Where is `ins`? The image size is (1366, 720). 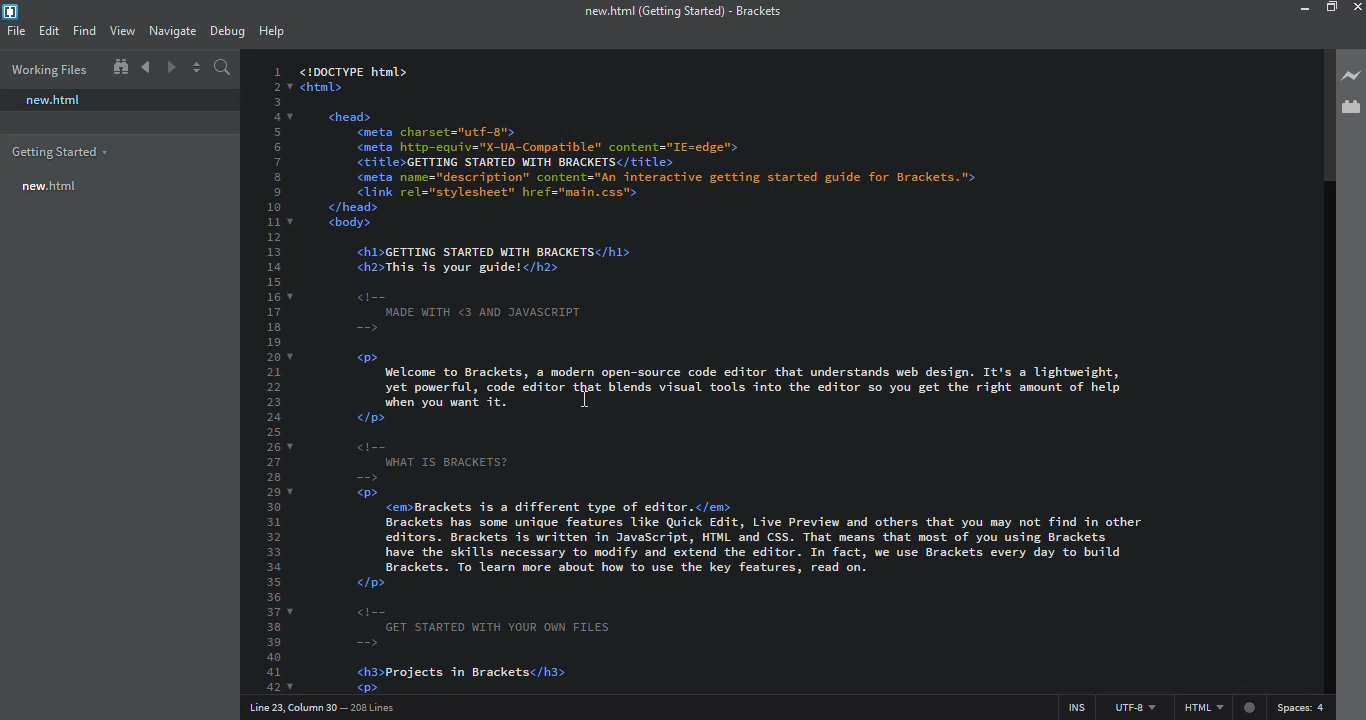
ins is located at coordinates (1073, 706).